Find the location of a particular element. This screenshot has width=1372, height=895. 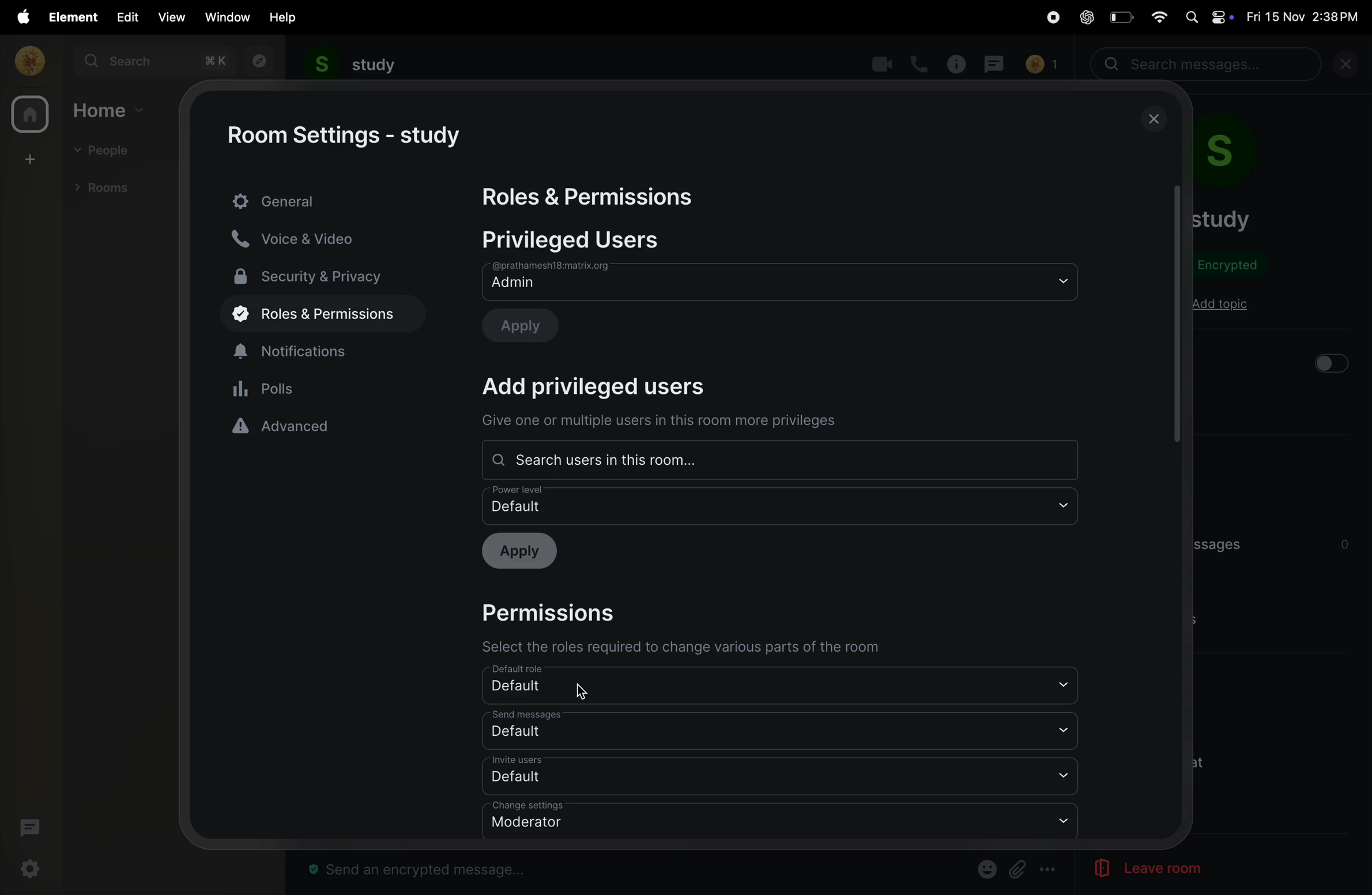

edit is located at coordinates (125, 16).